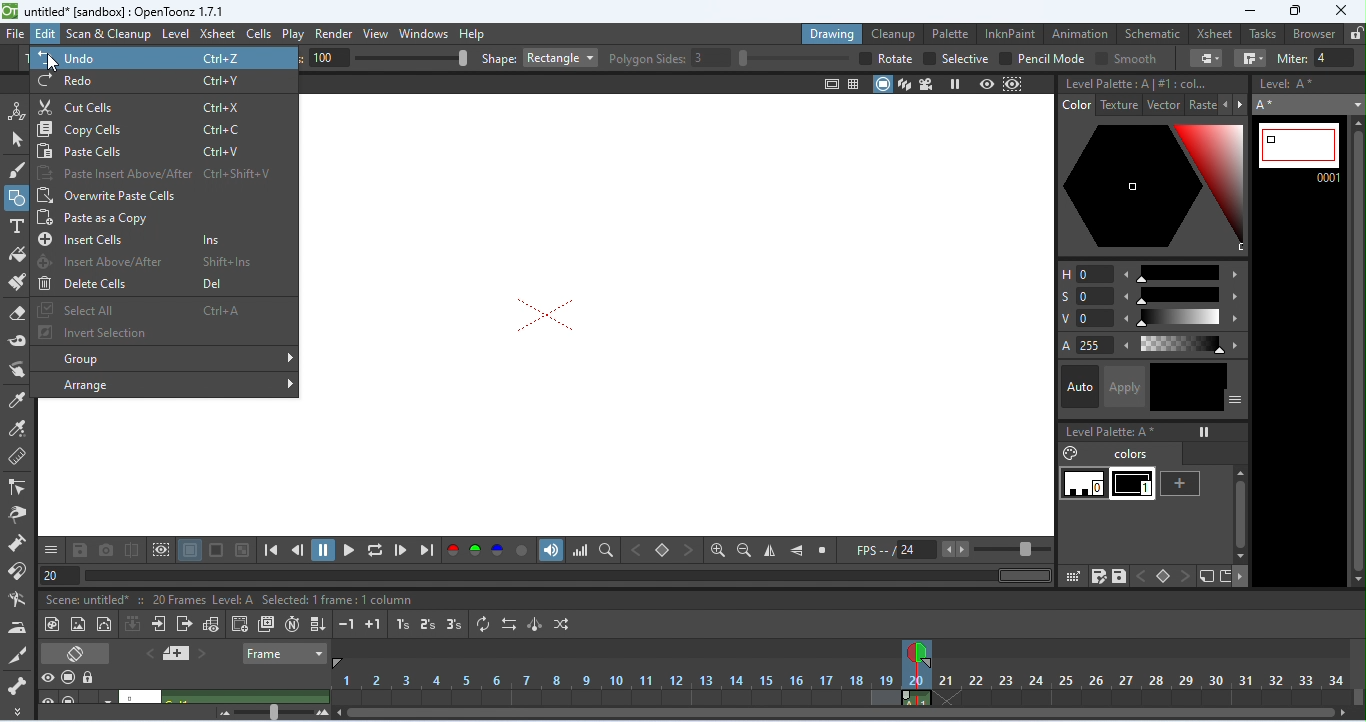  What do you see at coordinates (216, 550) in the screenshot?
I see `black background` at bounding box center [216, 550].